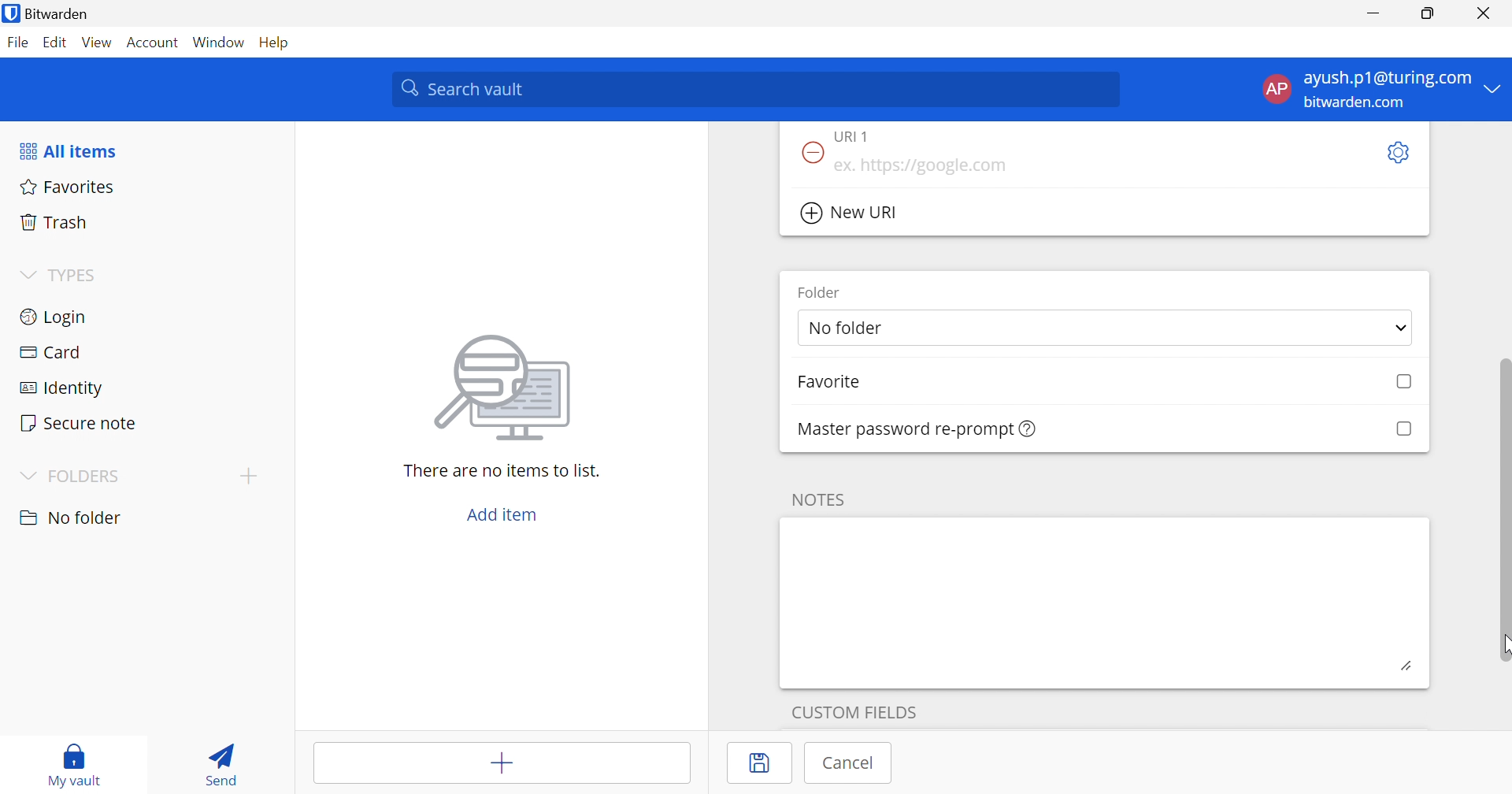 This screenshot has height=794, width=1512. What do you see at coordinates (1405, 382) in the screenshot?
I see `Checkbox` at bounding box center [1405, 382].